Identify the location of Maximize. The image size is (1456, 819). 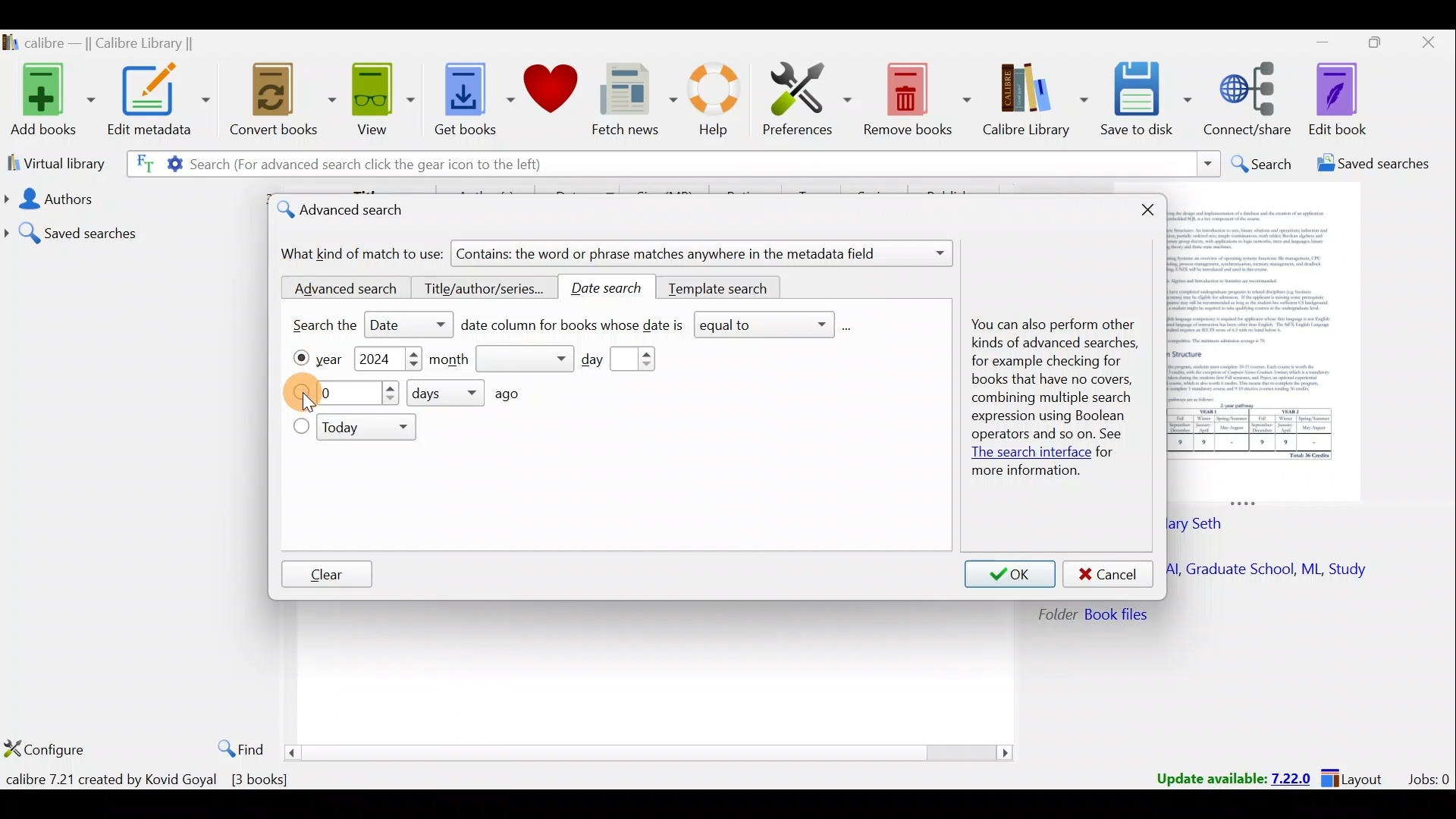
(1368, 45).